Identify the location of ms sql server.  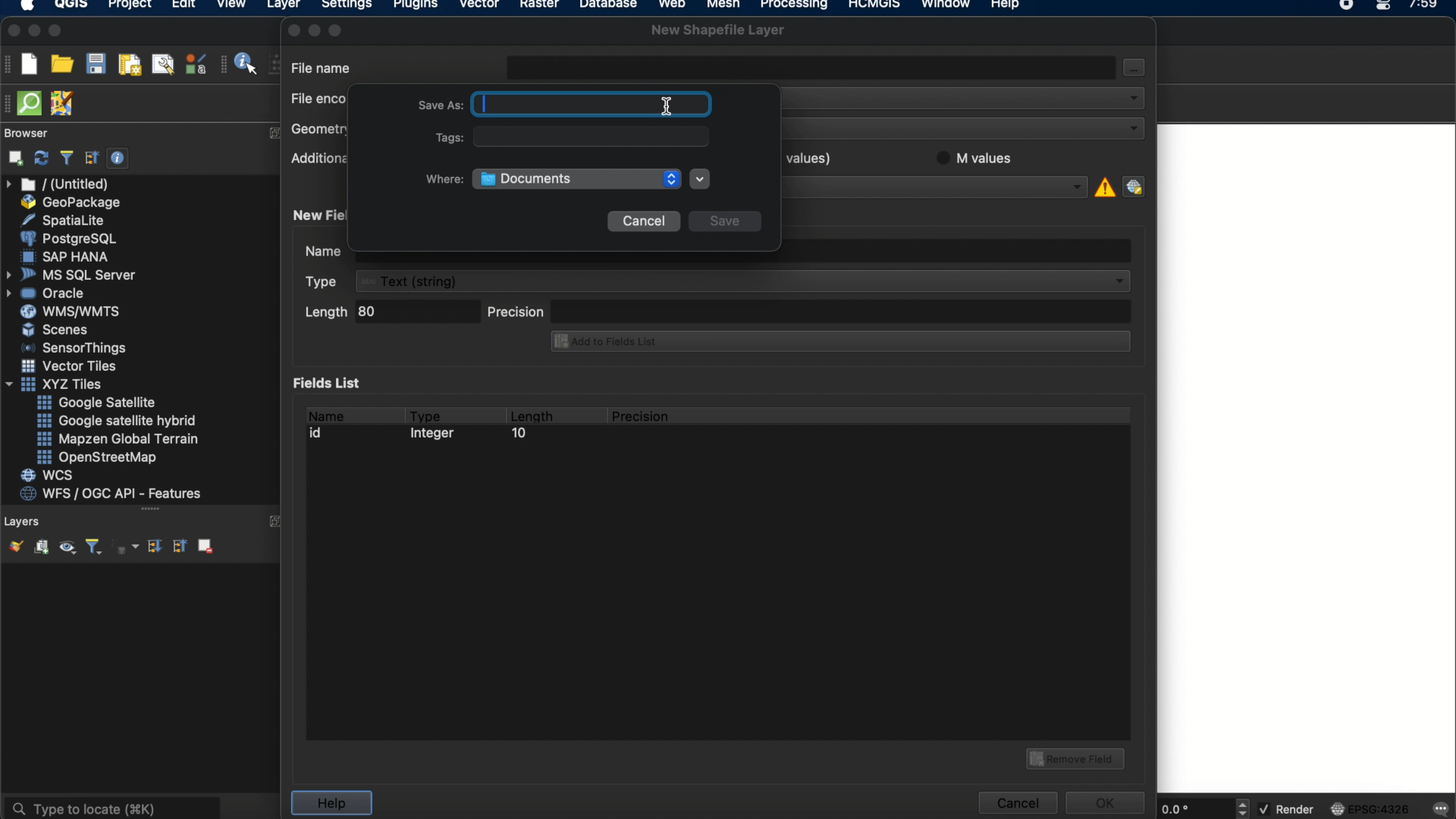
(74, 274).